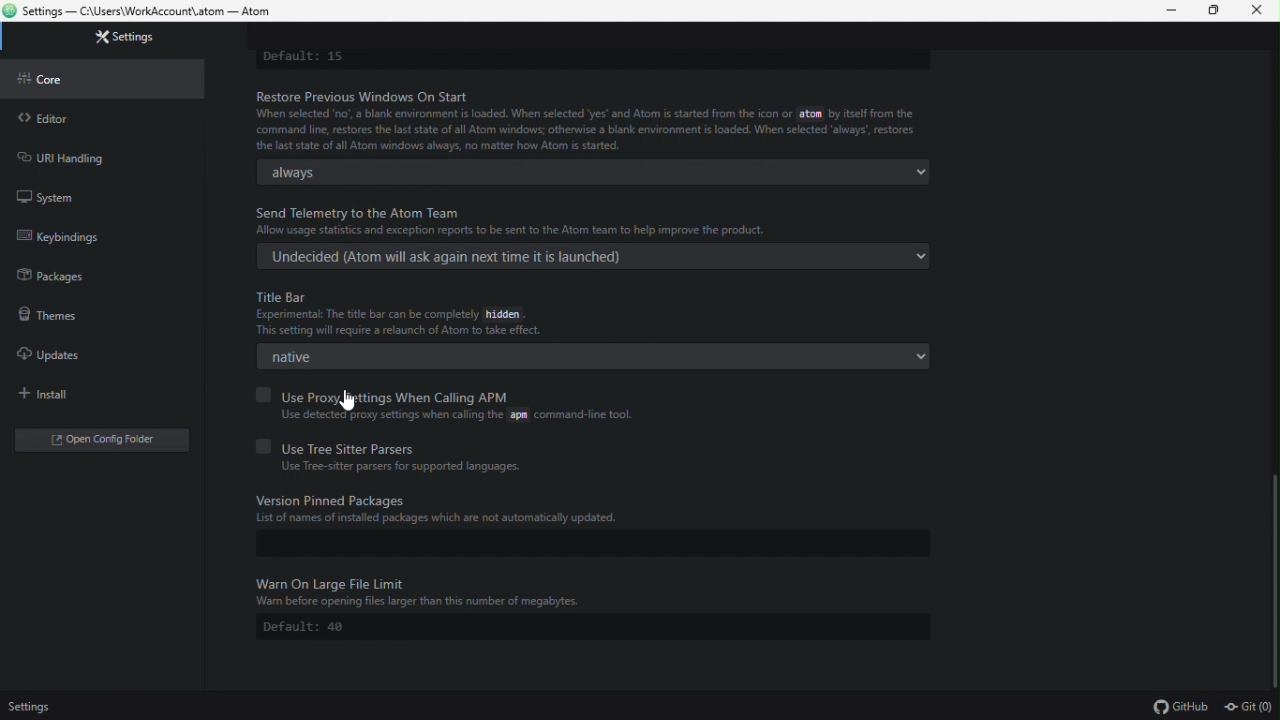  I want to click on Version Pinned Packages, so click(337, 499).